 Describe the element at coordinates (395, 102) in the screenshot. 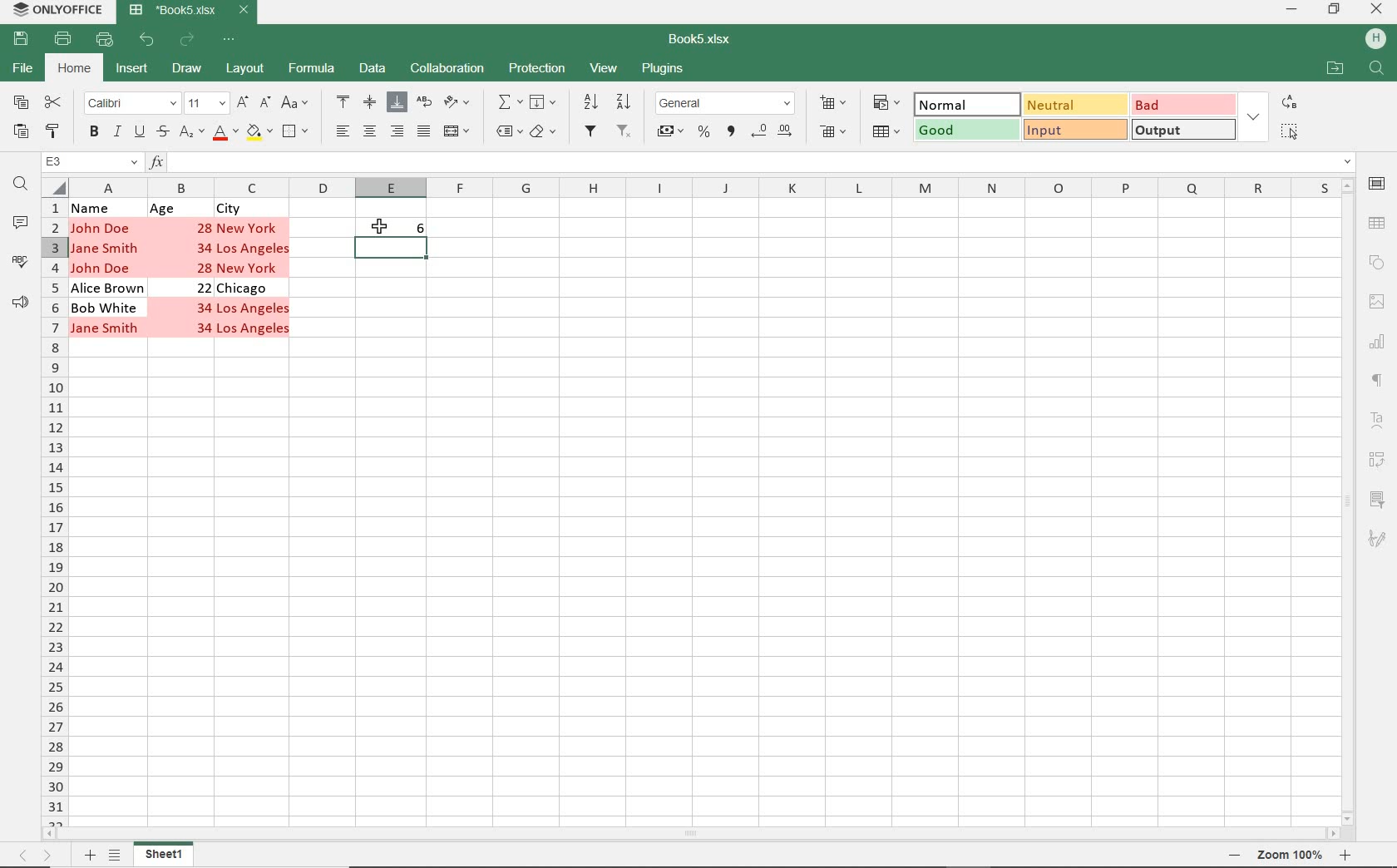

I see `ALIGN BOTTOM` at that location.